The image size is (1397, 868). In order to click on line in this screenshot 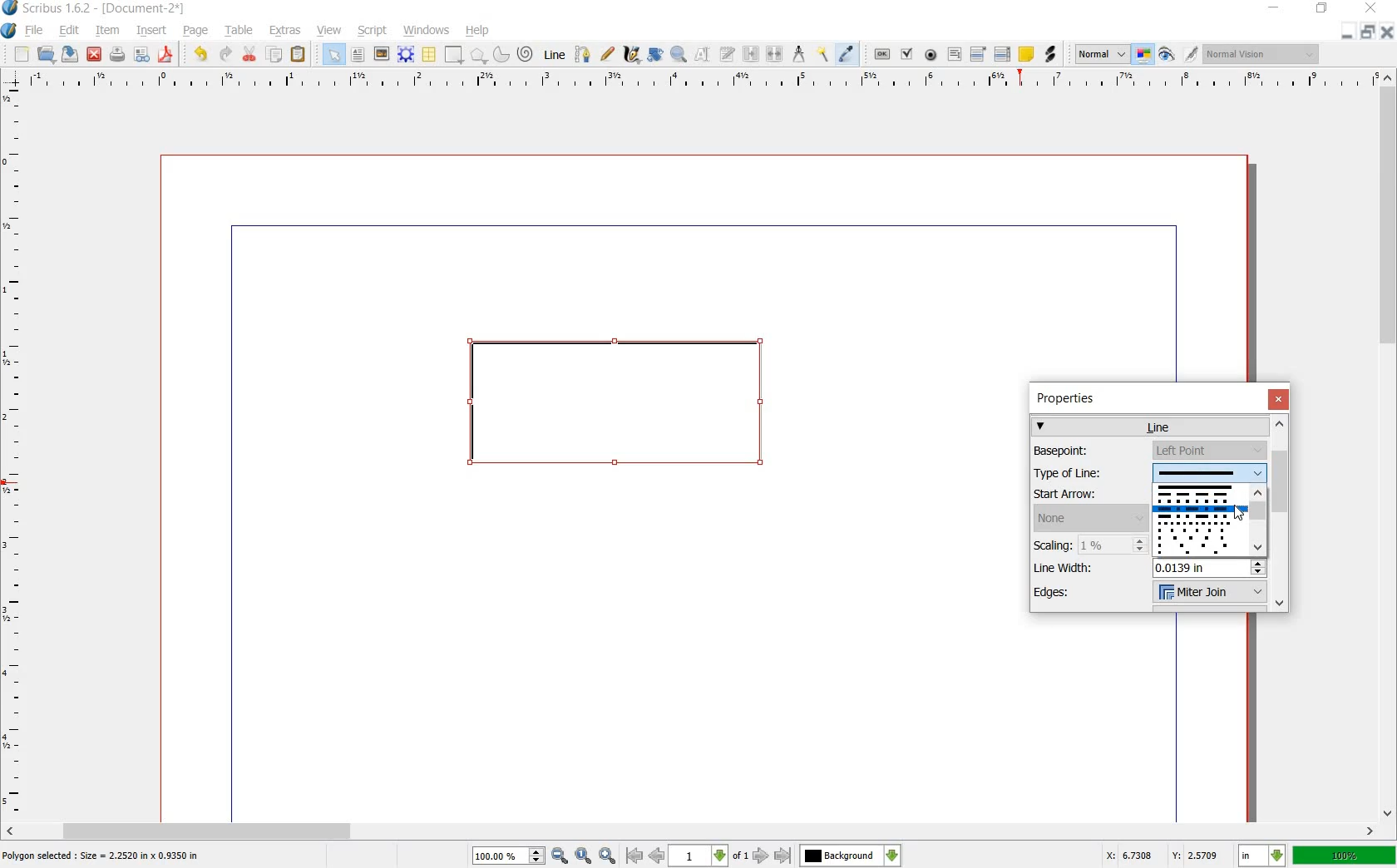, I will do `click(1152, 426)`.